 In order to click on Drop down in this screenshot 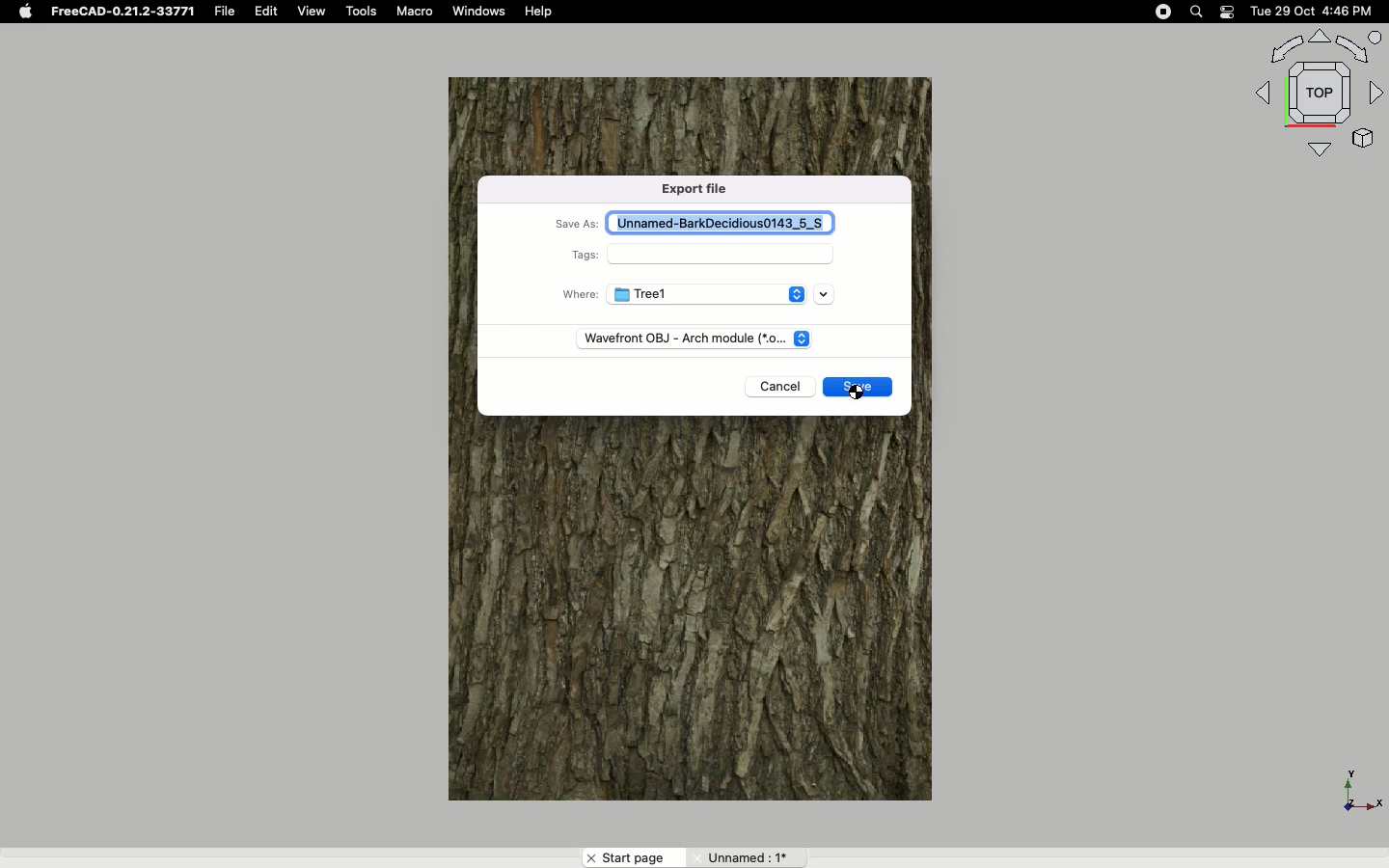, I will do `click(825, 296)`.